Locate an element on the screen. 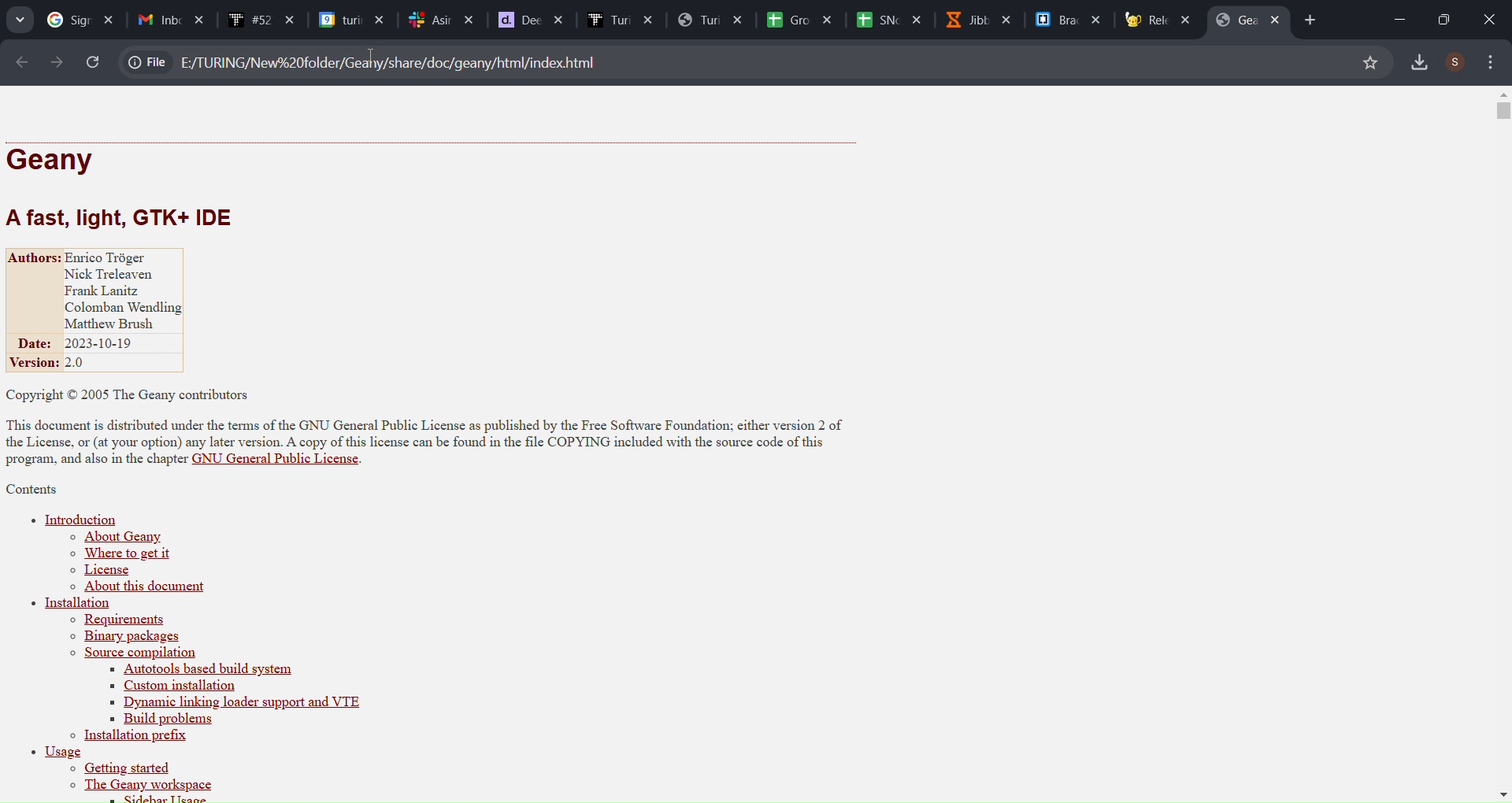 Image resolution: width=1512 pixels, height=803 pixels. usage is located at coordinates (54, 753).